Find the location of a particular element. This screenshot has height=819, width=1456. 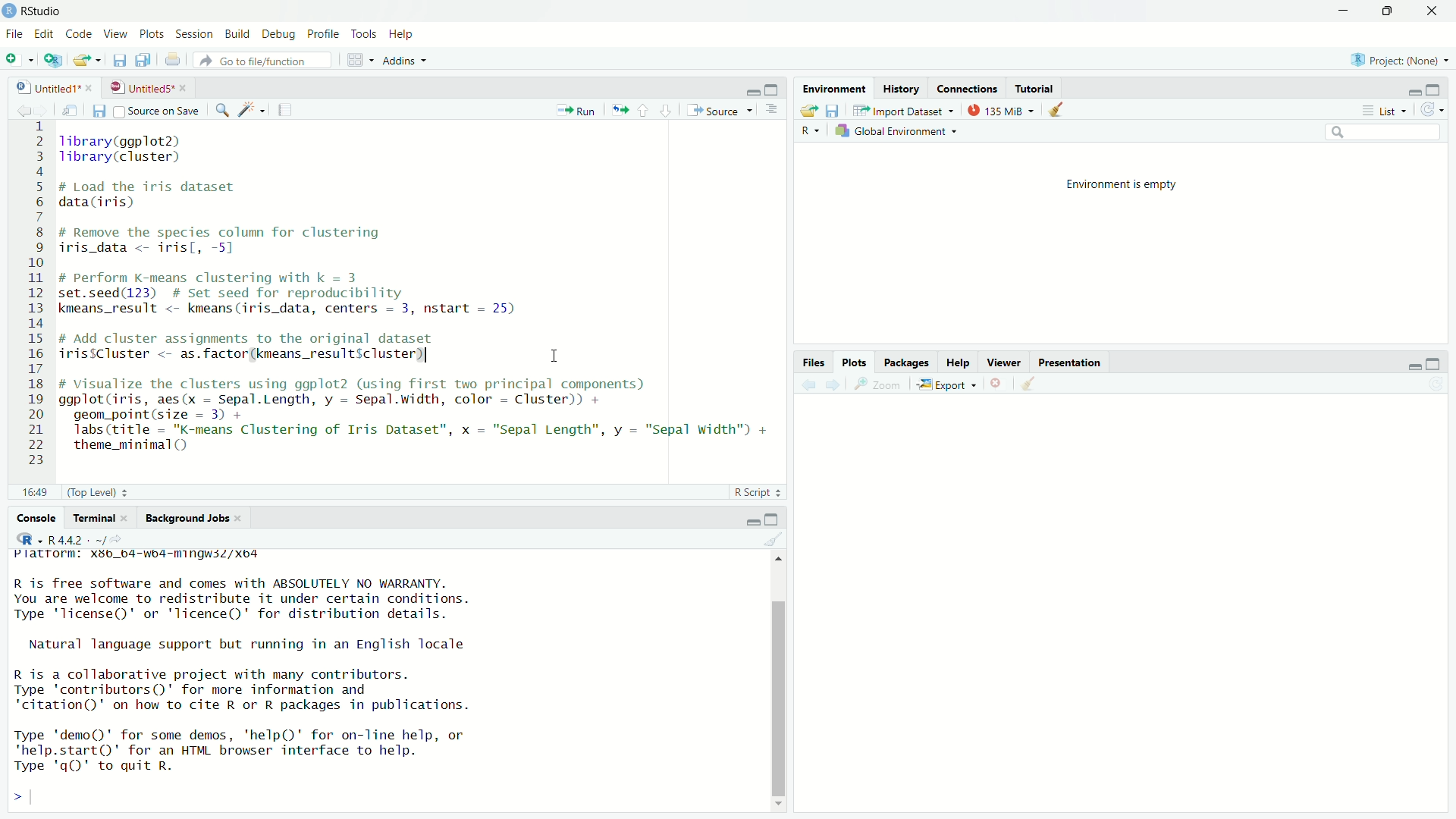

remove the current plot is located at coordinates (996, 385).